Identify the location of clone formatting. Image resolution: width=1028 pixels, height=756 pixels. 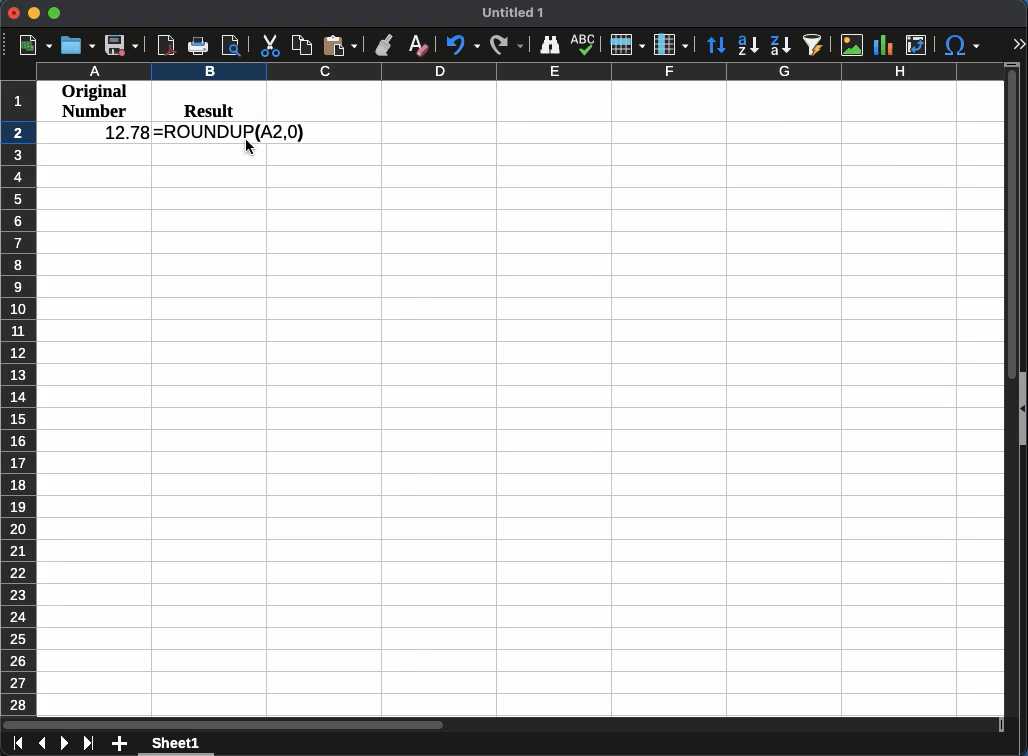
(385, 44).